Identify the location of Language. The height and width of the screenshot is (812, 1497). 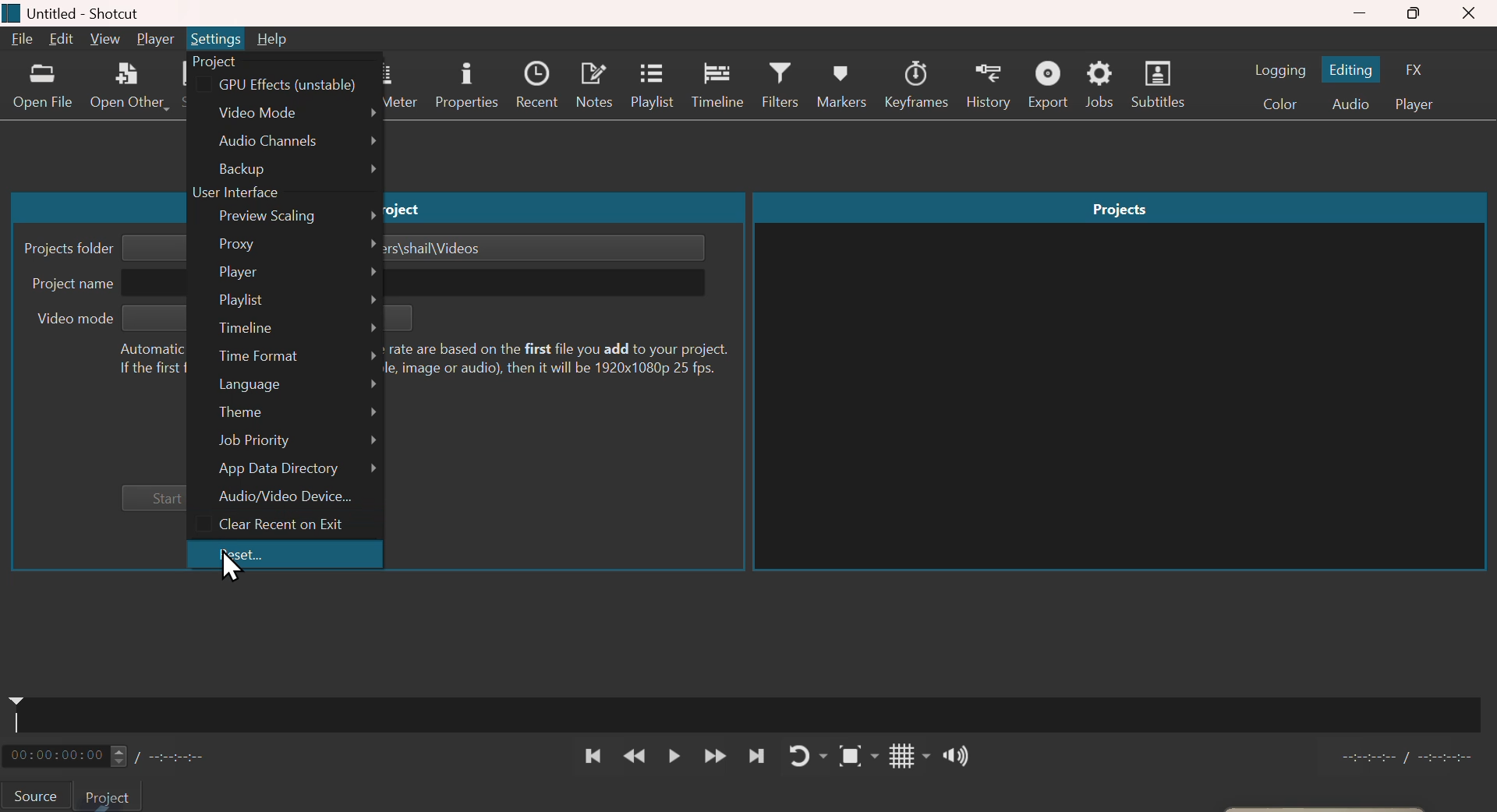
(284, 387).